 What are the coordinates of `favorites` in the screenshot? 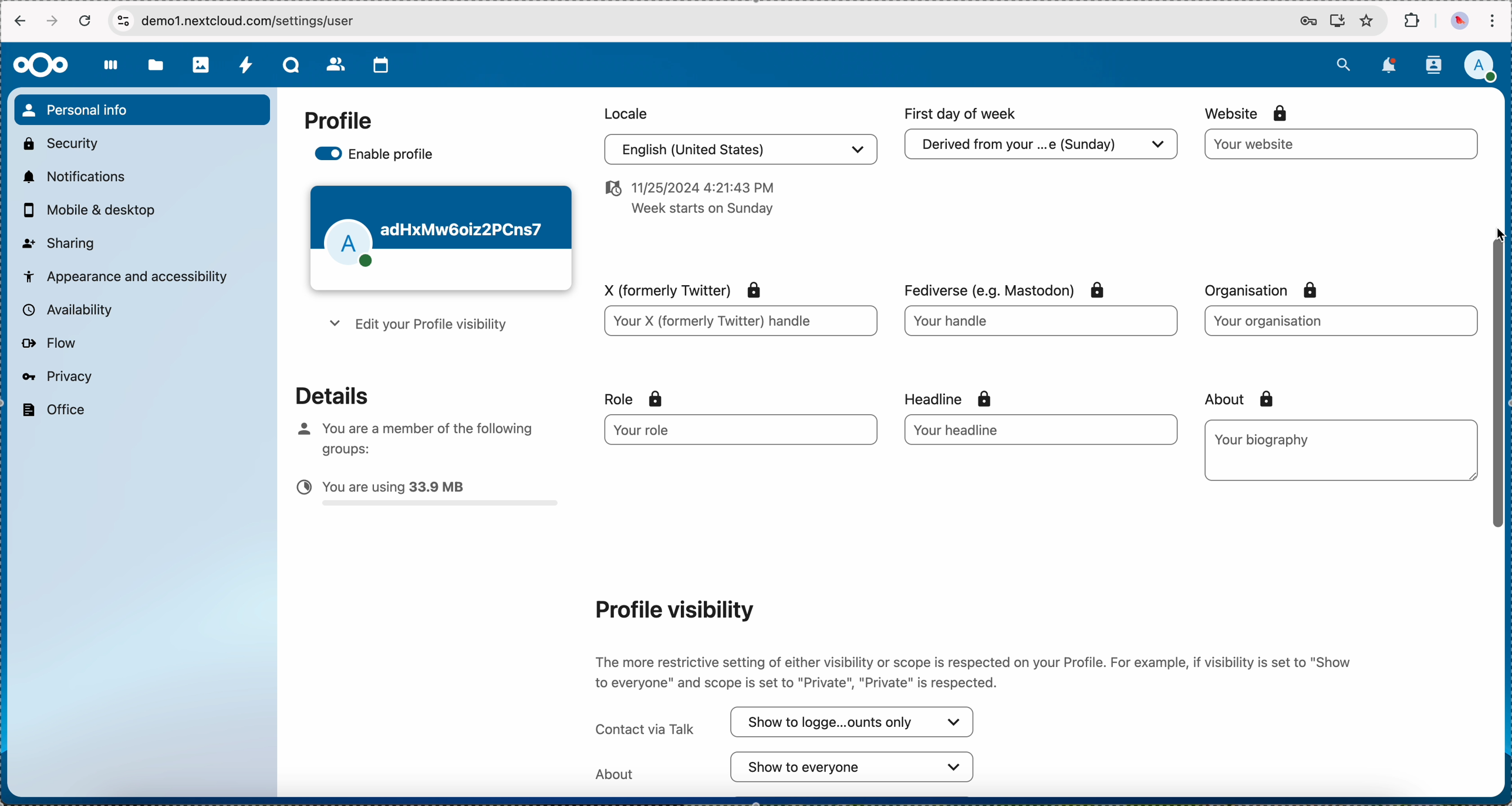 It's located at (1366, 22).